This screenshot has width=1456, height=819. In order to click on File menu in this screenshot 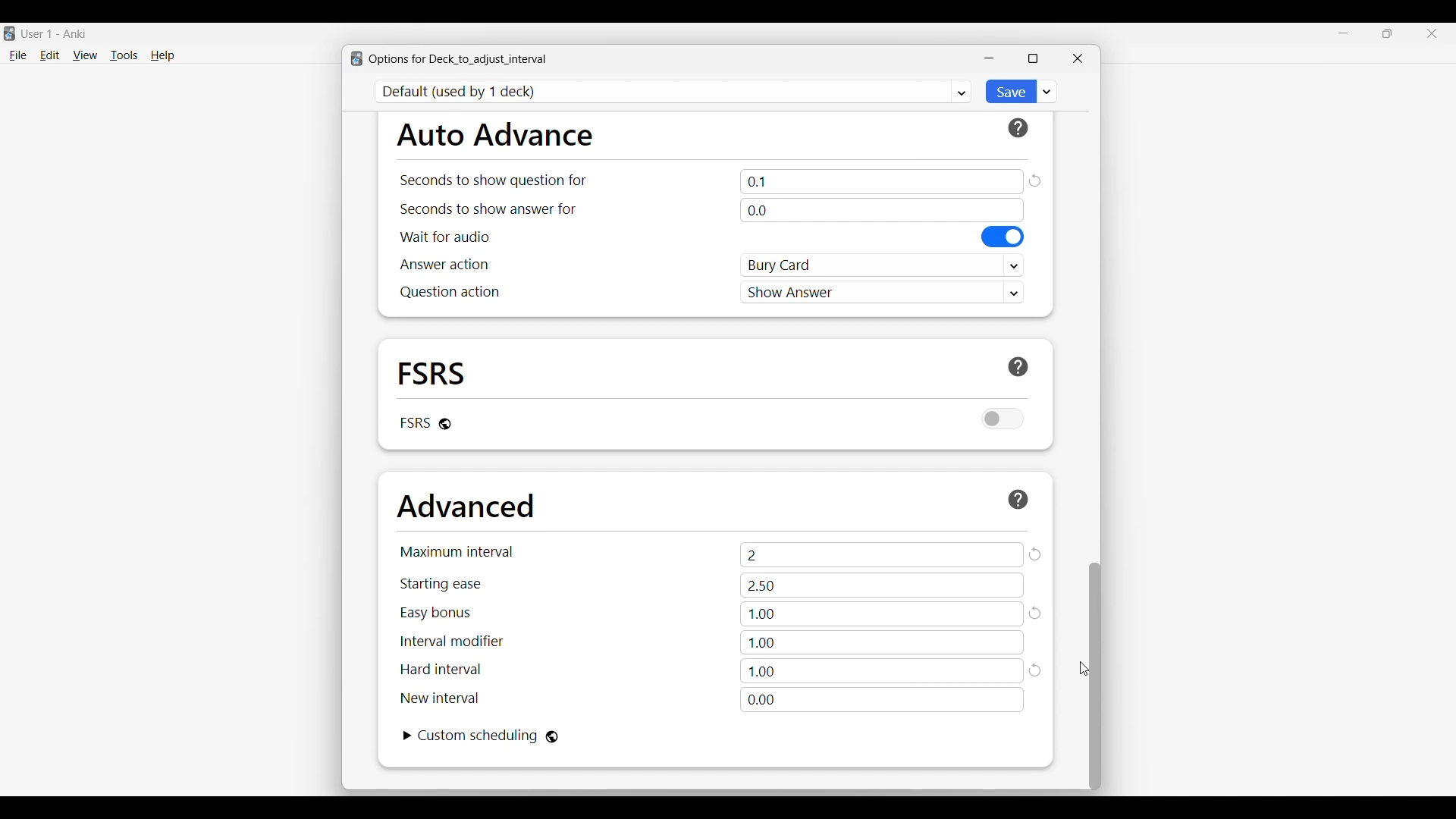, I will do `click(17, 56)`.